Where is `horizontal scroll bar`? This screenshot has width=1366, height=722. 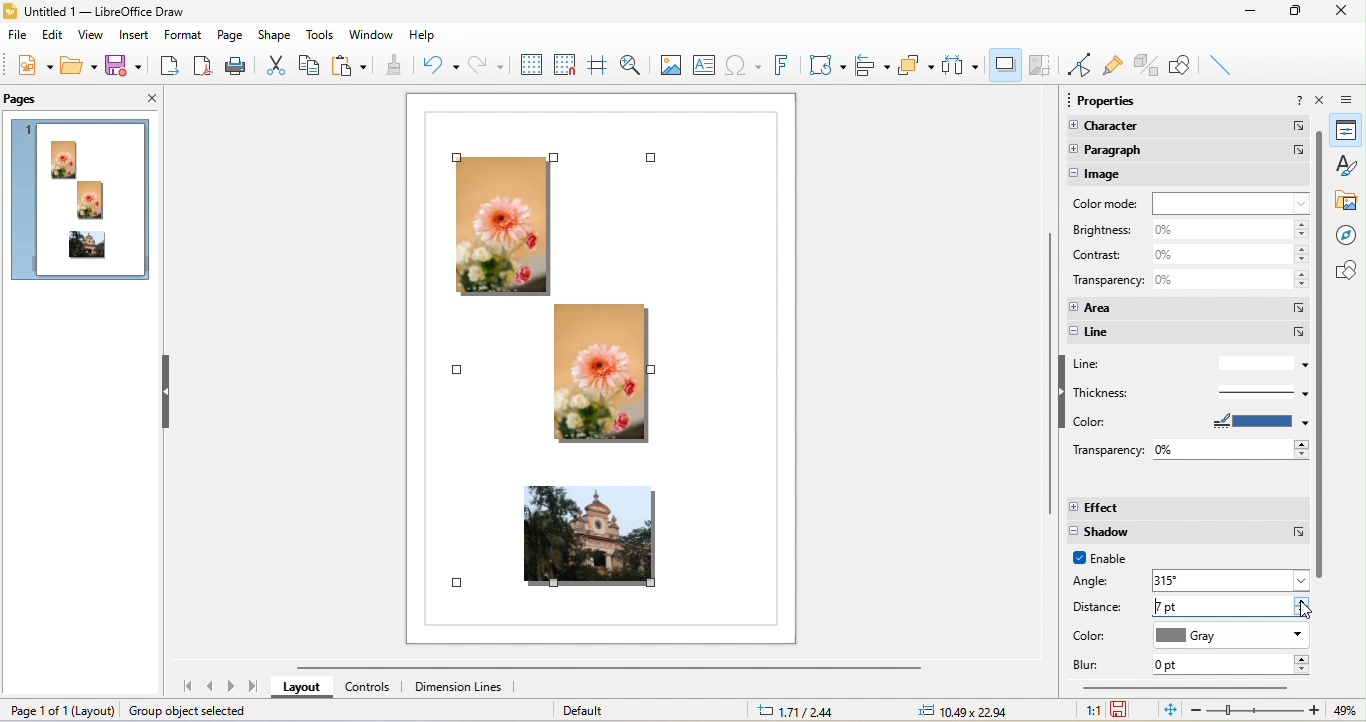 horizontal scroll bar is located at coordinates (1185, 690).